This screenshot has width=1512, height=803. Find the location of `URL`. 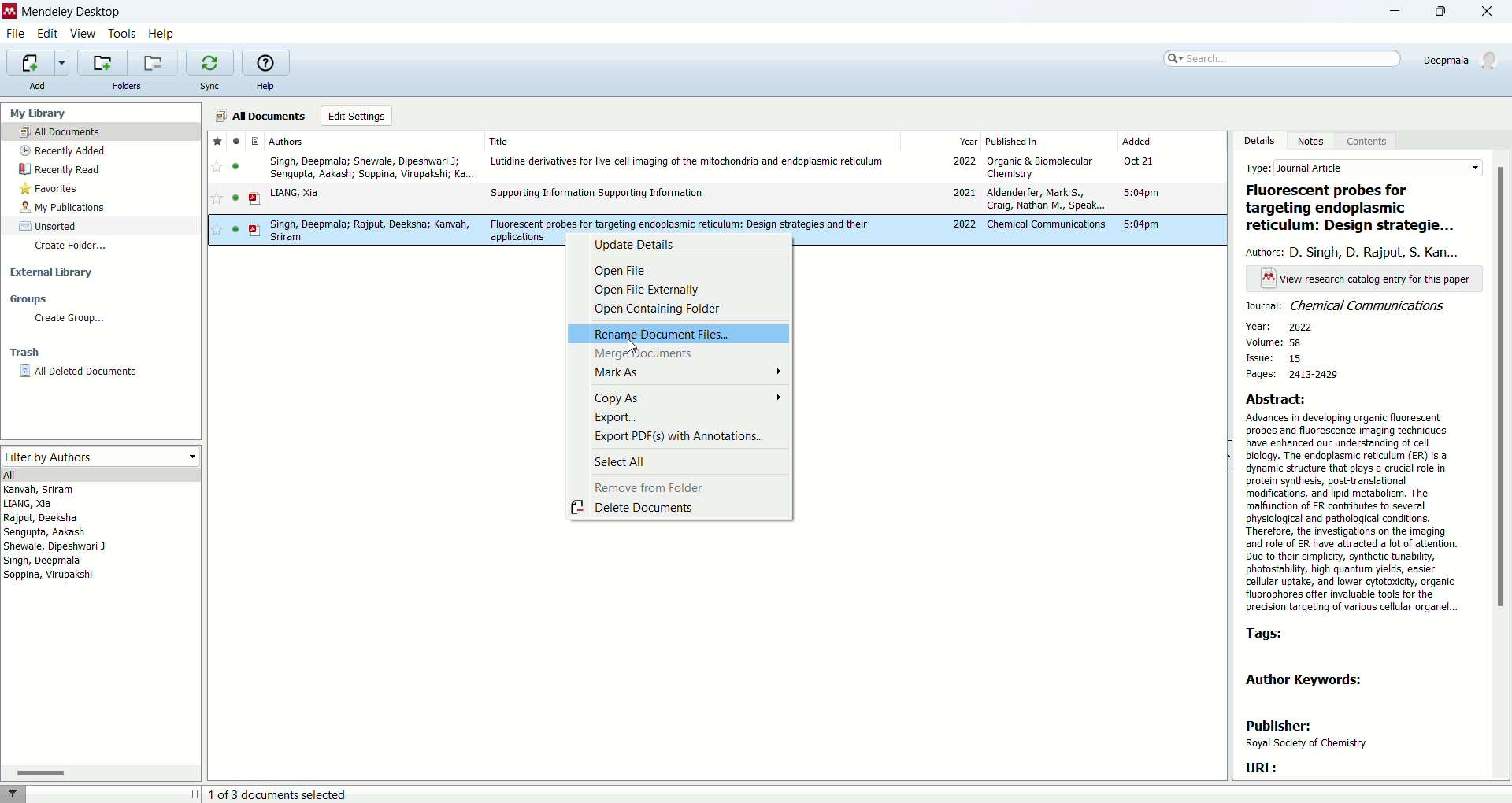

URL is located at coordinates (1261, 768).